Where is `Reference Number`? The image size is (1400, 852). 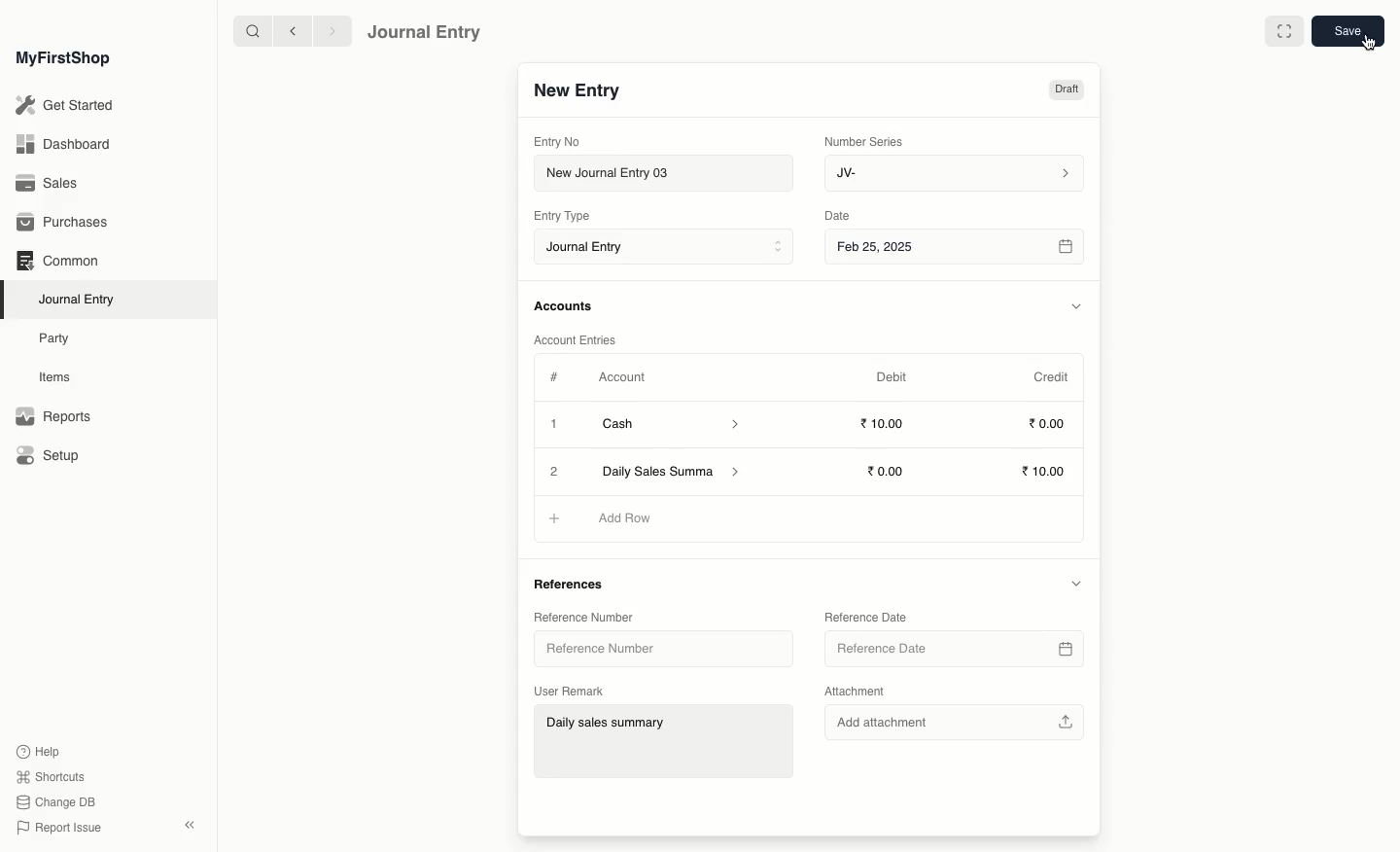
Reference Number is located at coordinates (608, 652).